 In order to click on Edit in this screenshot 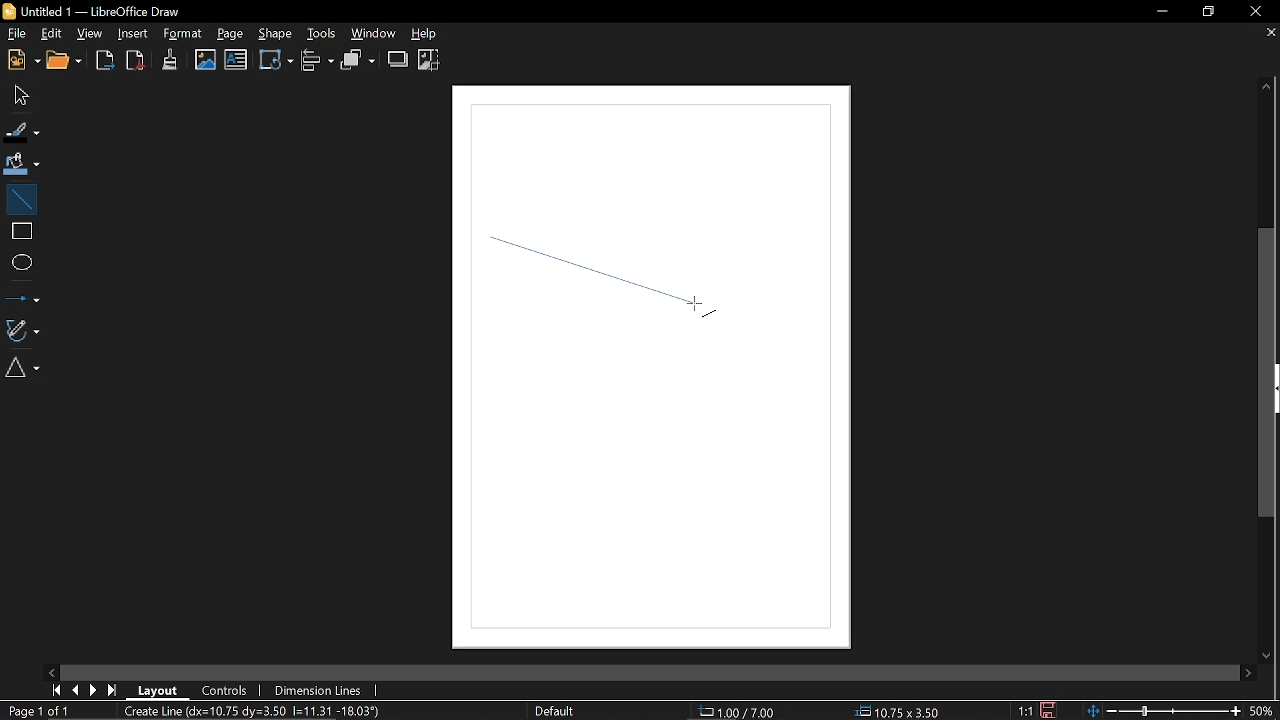, I will do `click(52, 32)`.